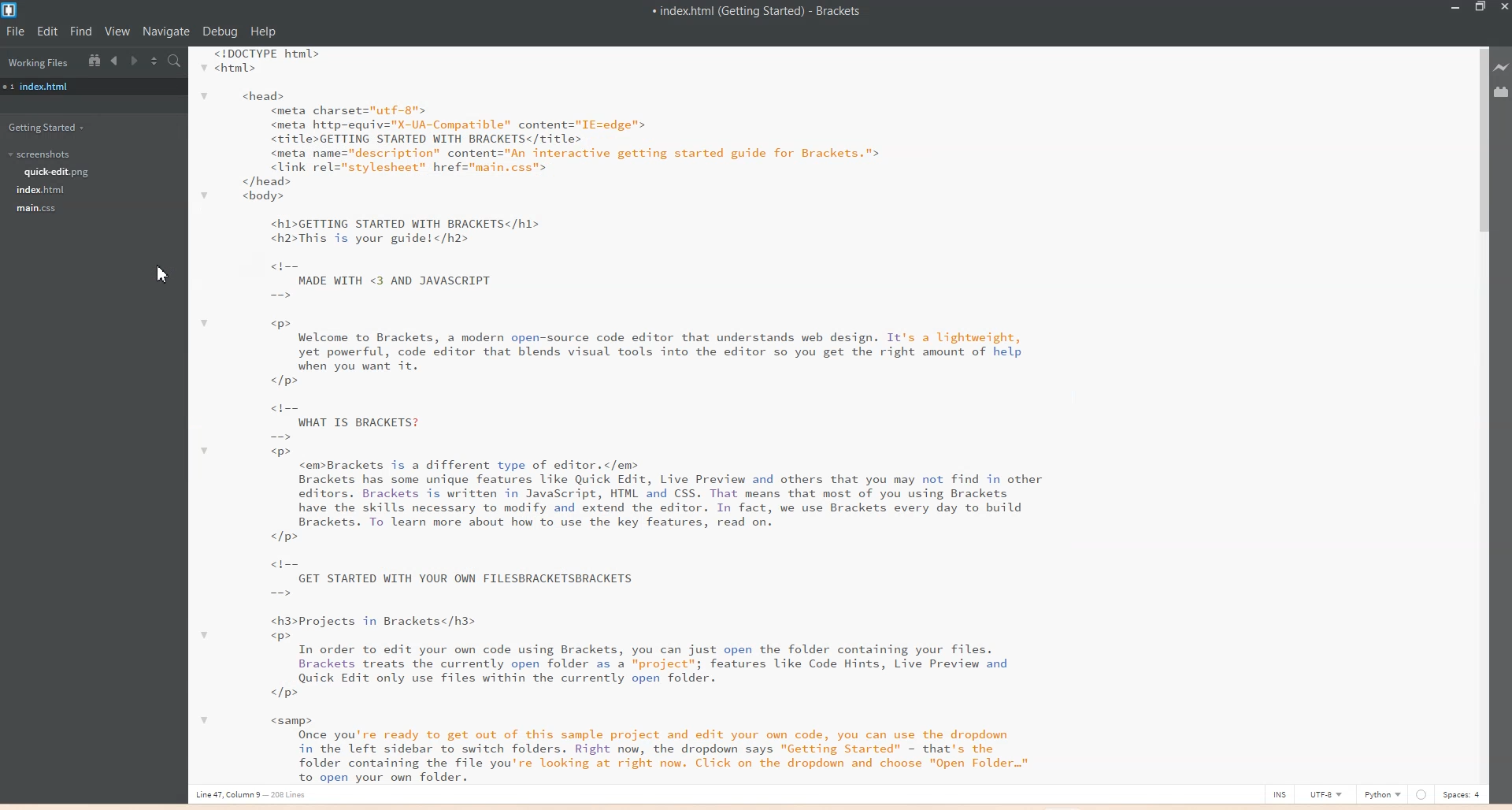 The image size is (1512, 810). I want to click on UTF-8, so click(1329, 795).